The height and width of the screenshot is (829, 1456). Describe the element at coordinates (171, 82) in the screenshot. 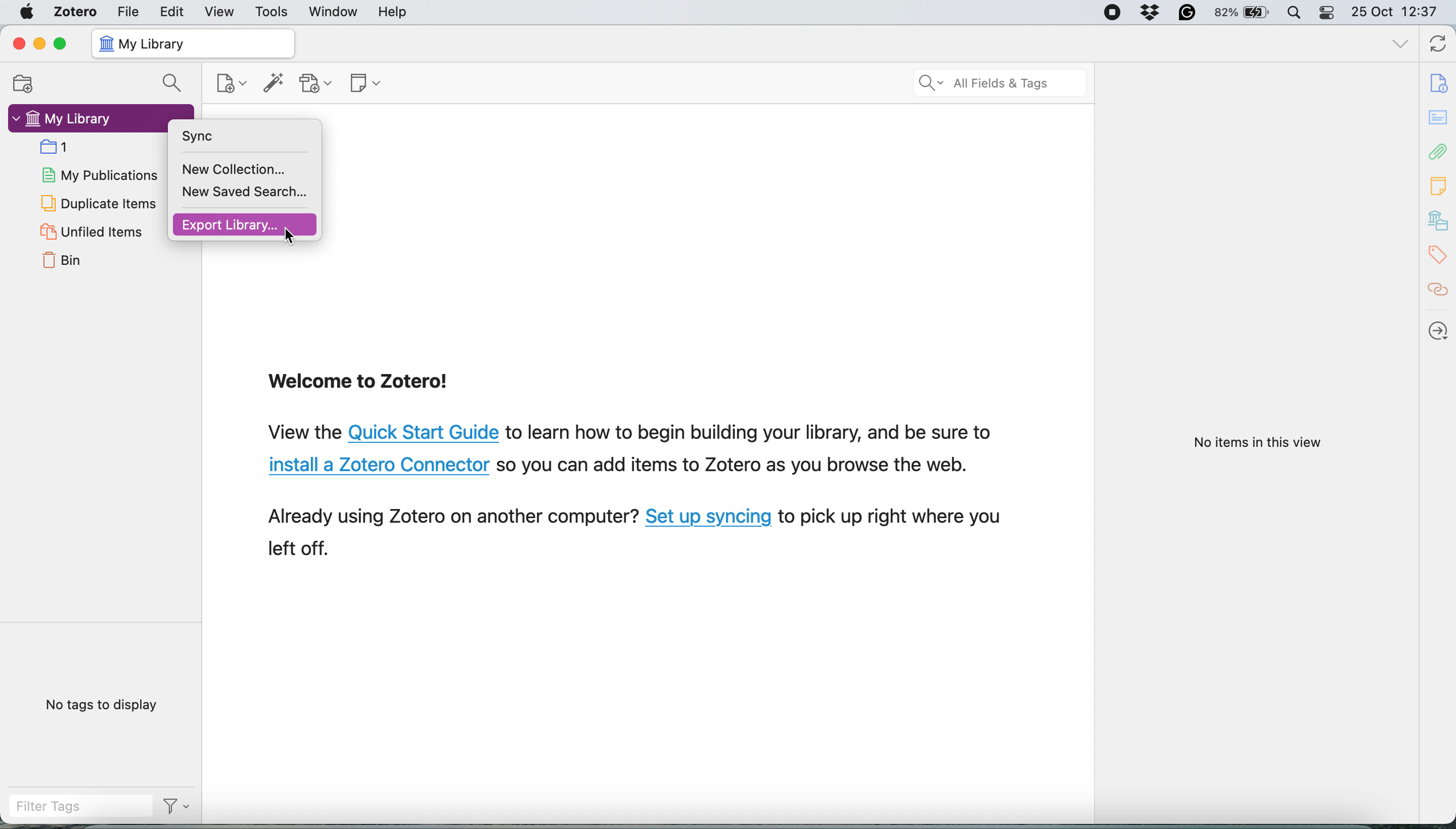

I see `search` at that location.